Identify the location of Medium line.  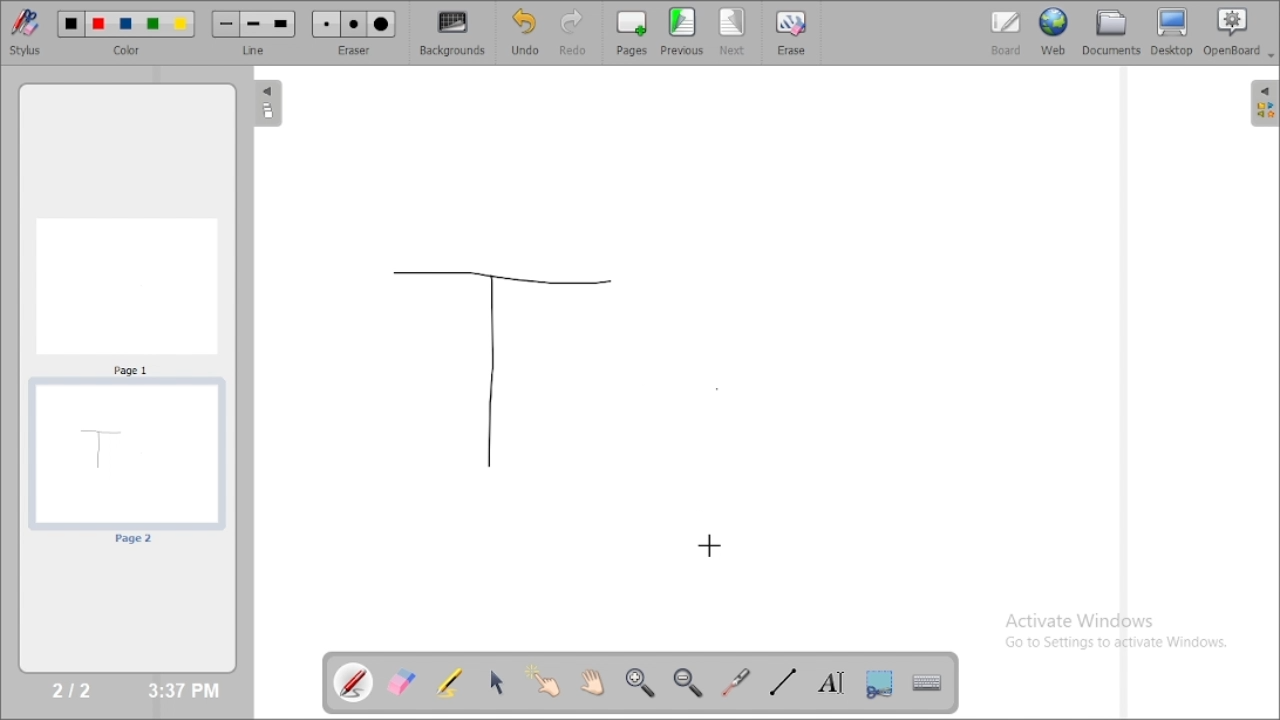
(255, 24).